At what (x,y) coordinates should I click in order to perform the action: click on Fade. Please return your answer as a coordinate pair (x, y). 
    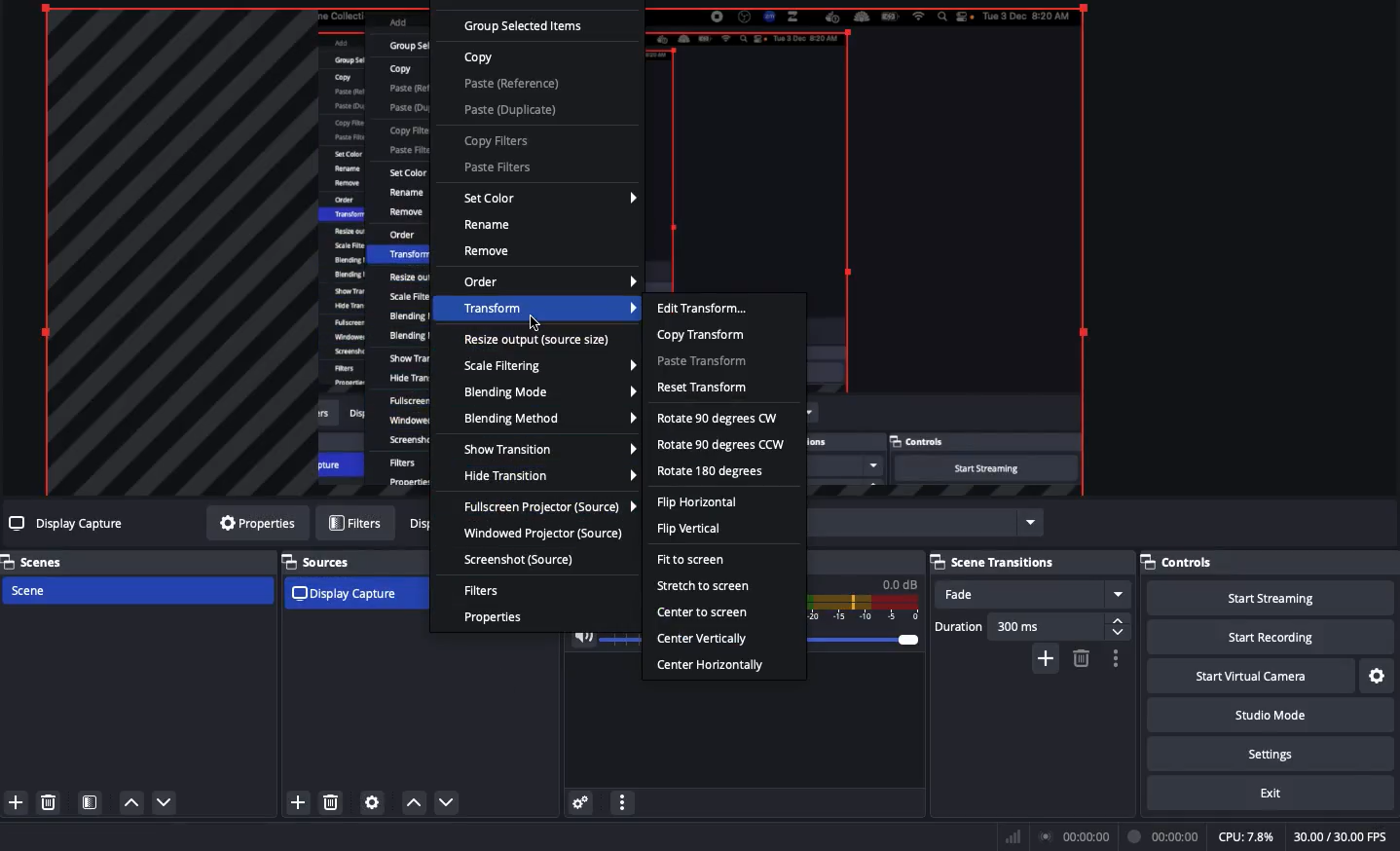
    Looking at the image, I should click on (1034, 596).